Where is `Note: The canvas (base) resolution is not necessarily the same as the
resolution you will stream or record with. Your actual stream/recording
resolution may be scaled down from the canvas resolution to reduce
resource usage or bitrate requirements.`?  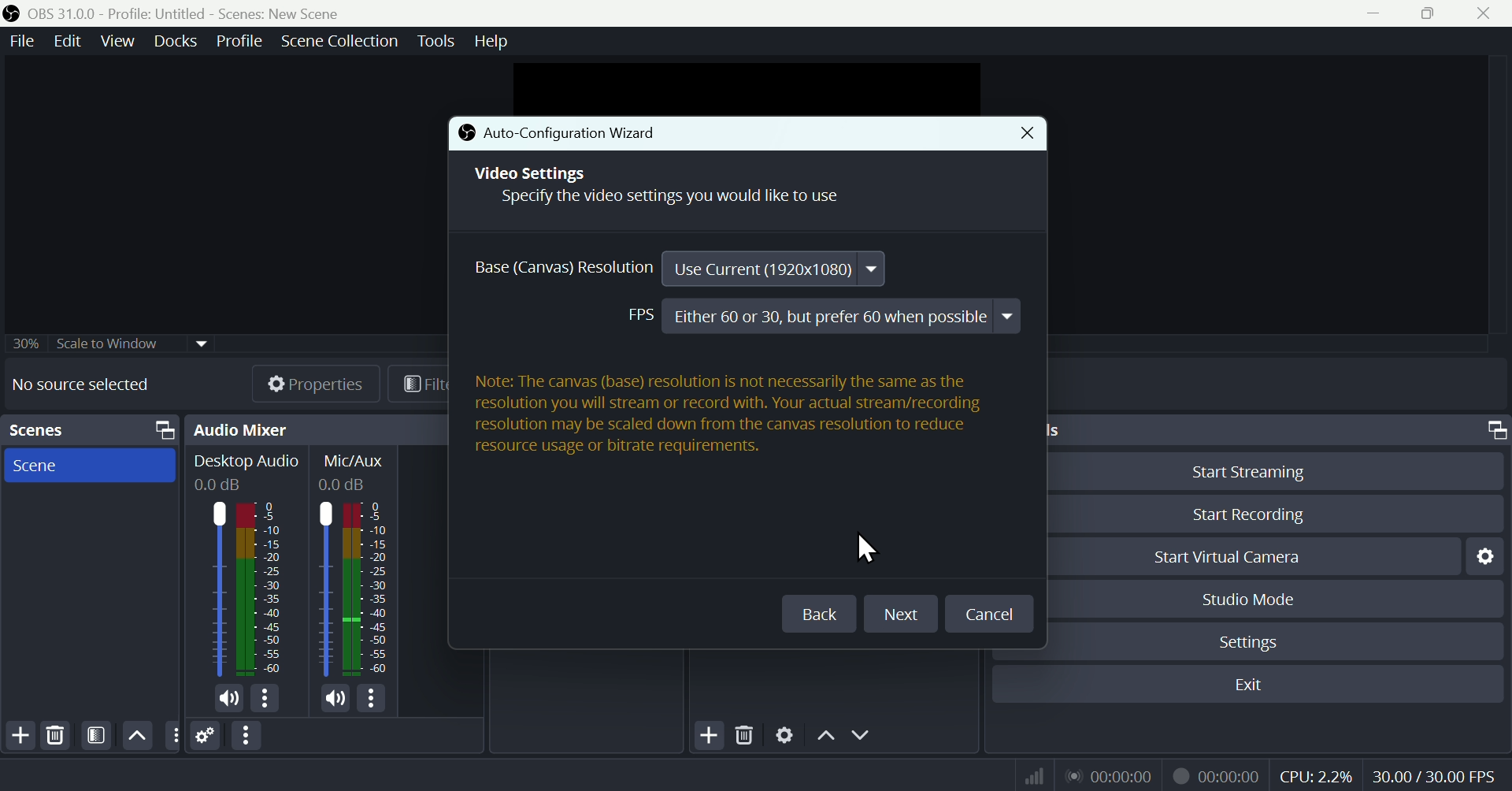
Note: The canvas (base) resolution is not necessarily the same as the
resolution you will stream or record with. Your actual stream/recording
resolution may be scaled down from the canvas resolution to reduce
resource usage or bitrate requirements. is located at coordinates (730, 418).